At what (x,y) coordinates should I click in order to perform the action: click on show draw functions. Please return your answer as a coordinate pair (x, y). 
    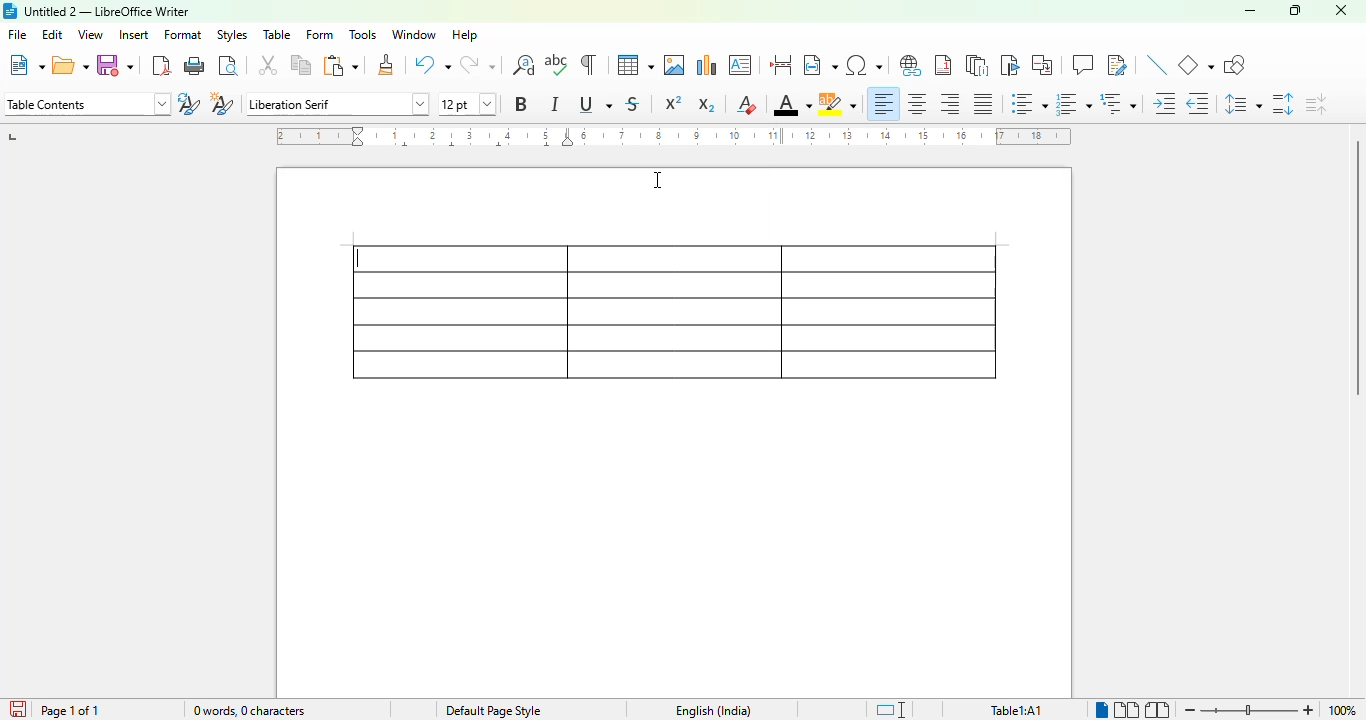
    Looking at the image, I should click on (1234, 64).